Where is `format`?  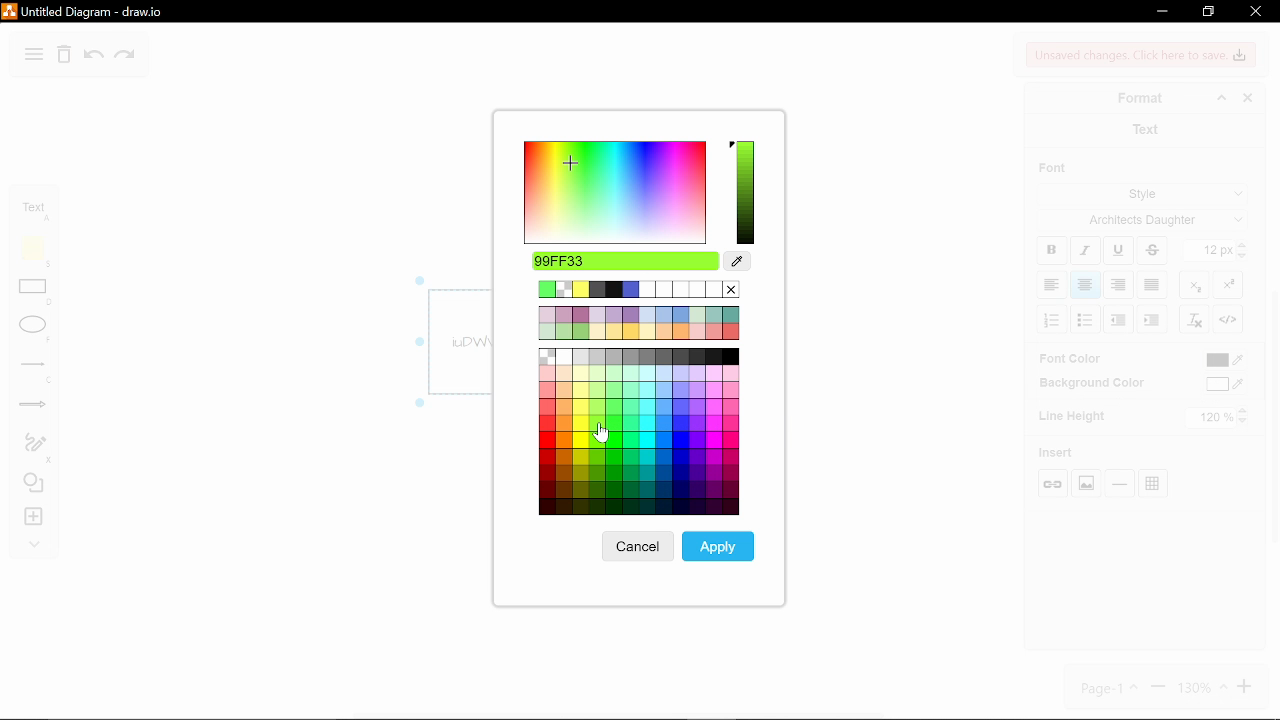
format is located at coordinates (1133, 98).